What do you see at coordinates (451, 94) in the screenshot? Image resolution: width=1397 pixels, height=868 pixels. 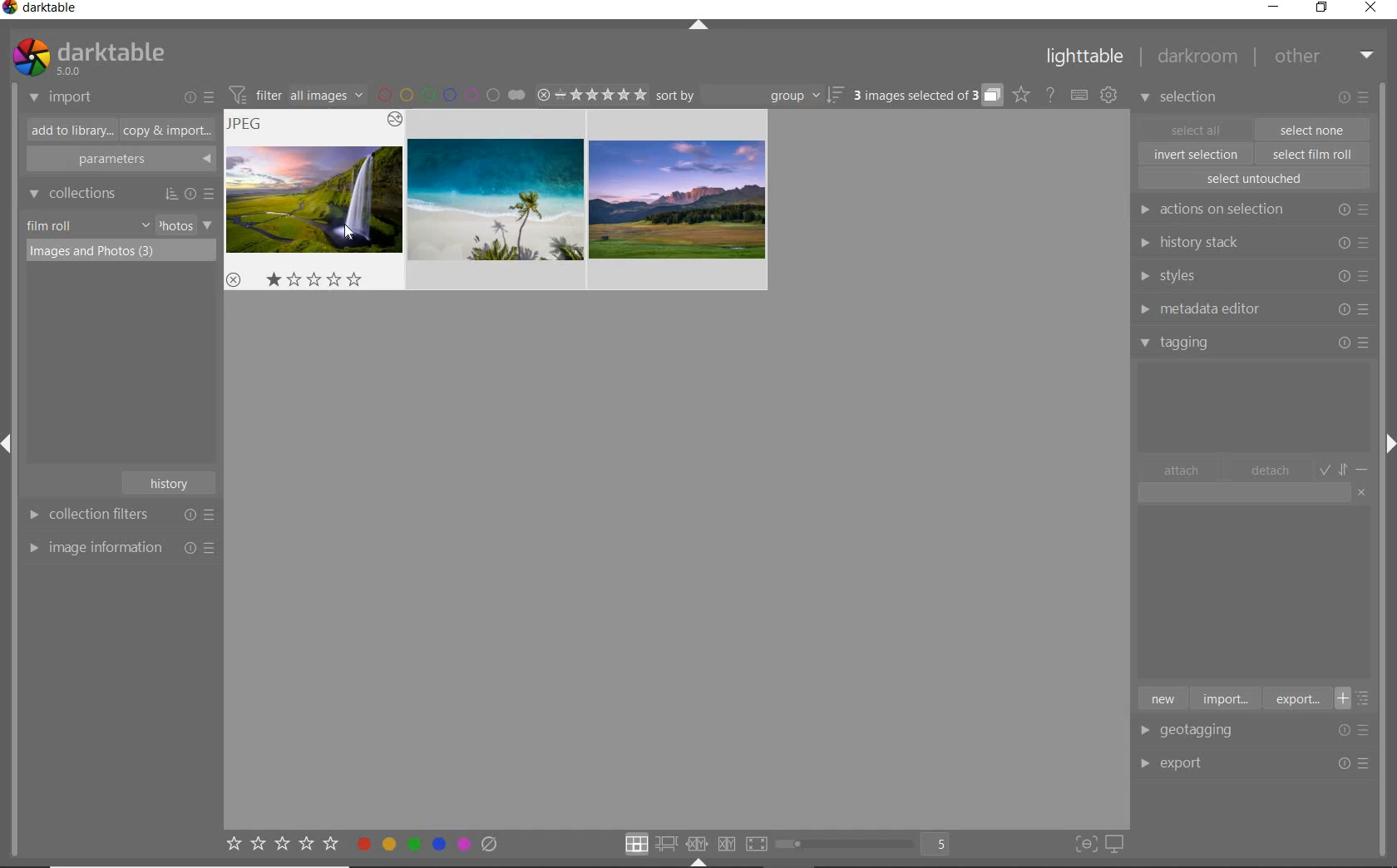 I see `filter by image color label` at bounding box center [451, 94].